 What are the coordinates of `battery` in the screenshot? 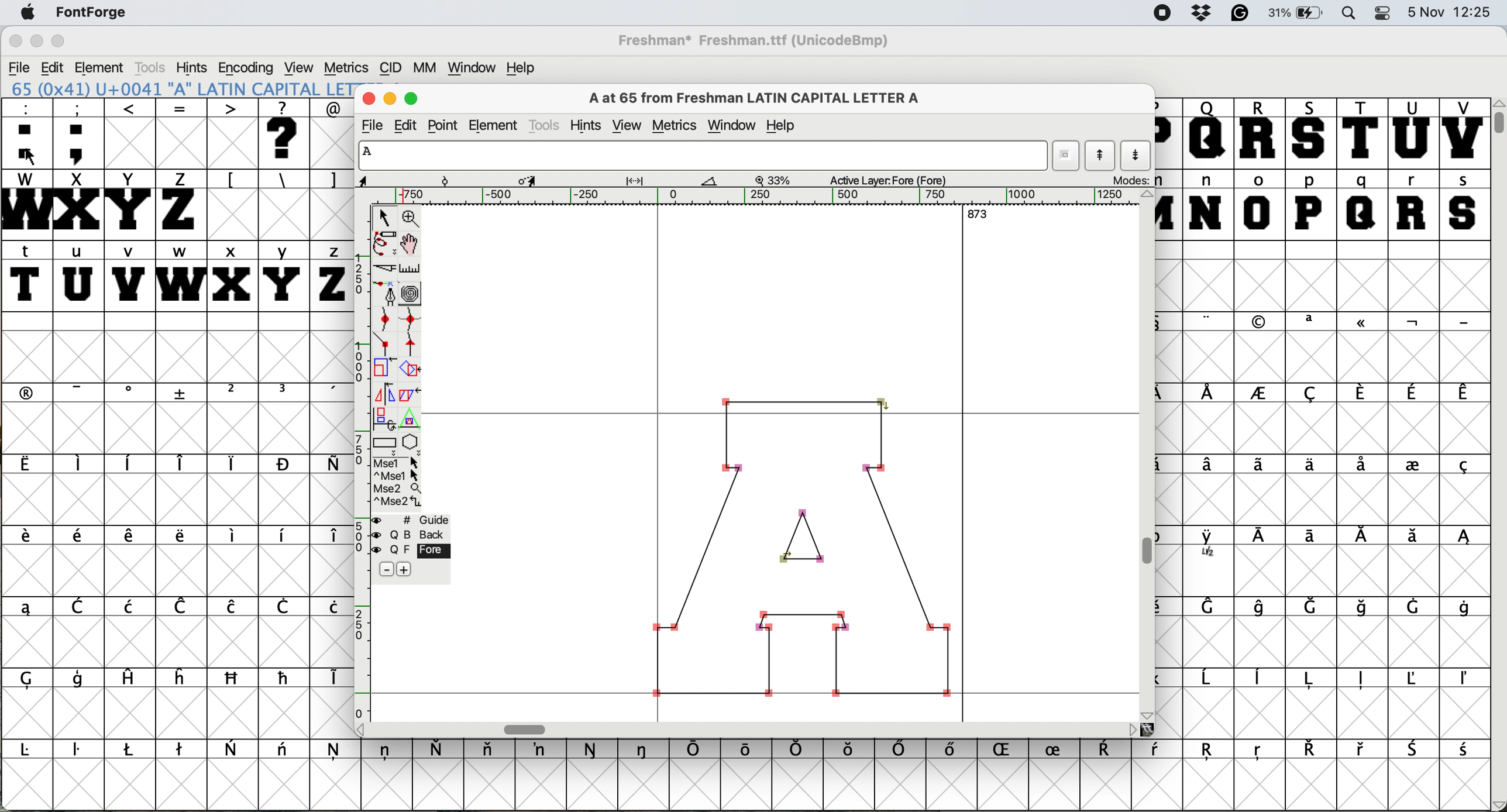 It's located at (1298, 13).